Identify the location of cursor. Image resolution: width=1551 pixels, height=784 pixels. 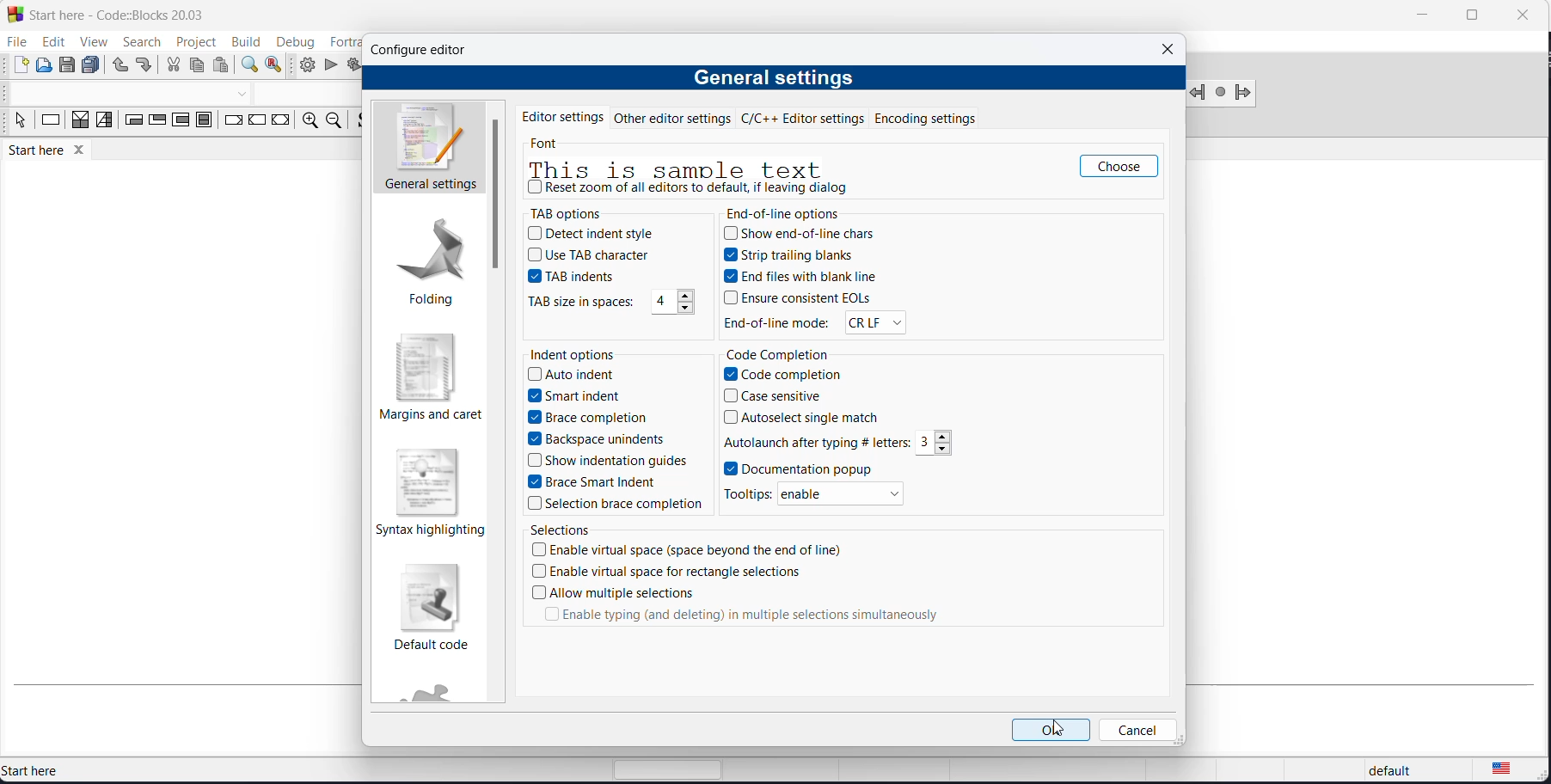
(1061, 730).